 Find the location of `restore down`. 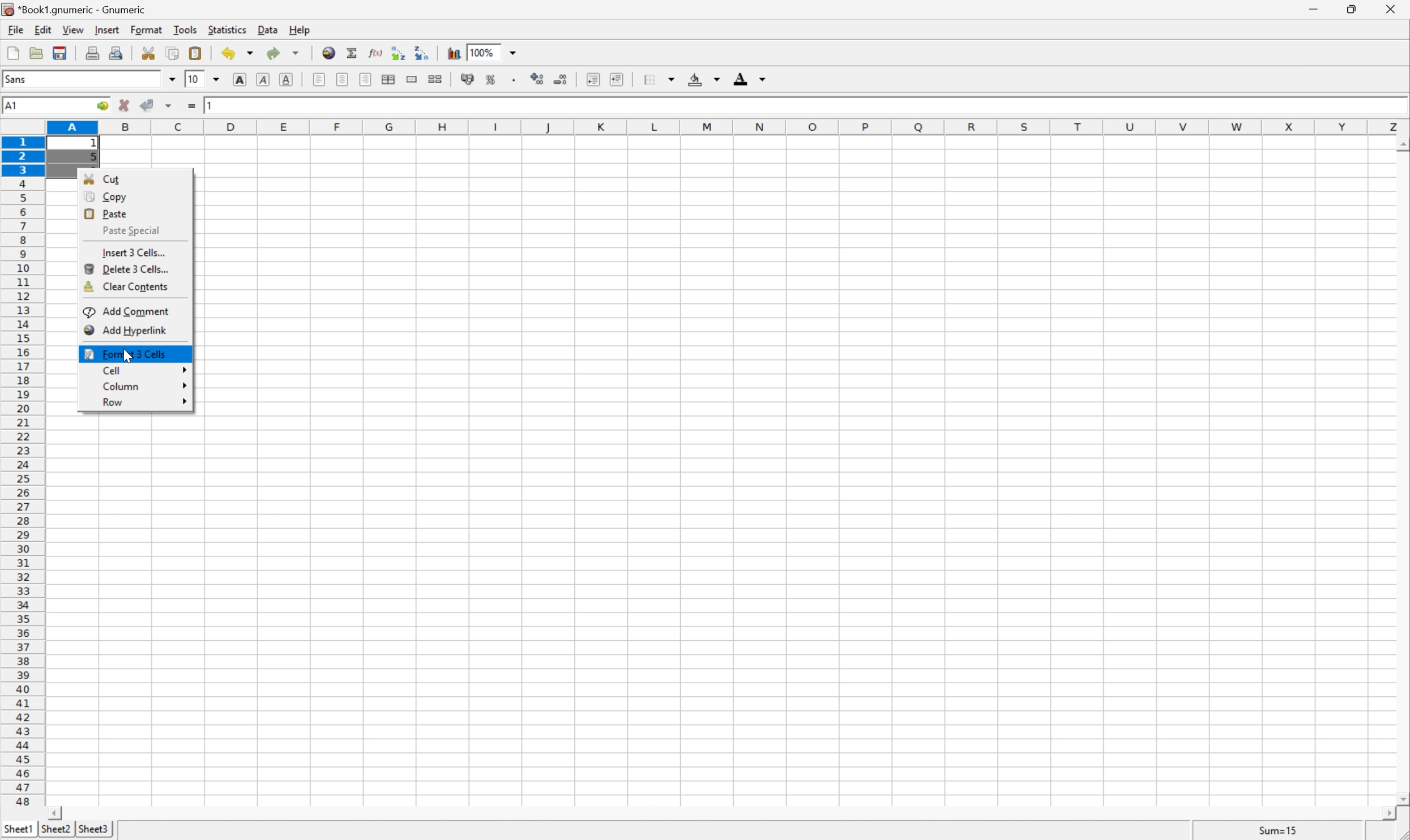

restore down is located at coordinates (1353, 9).